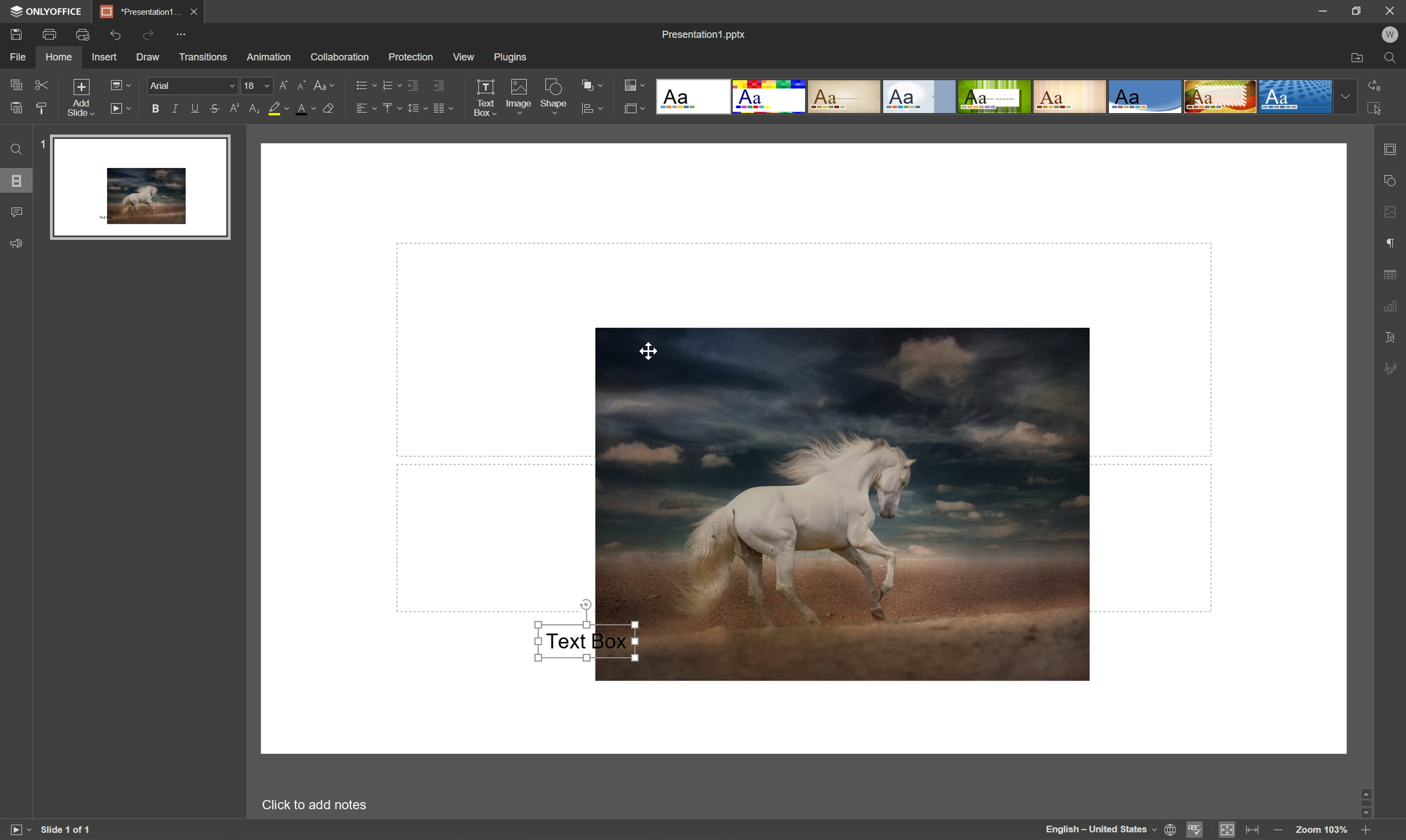 The height and width of the screenshot is (840, 1406). I want to click on Plugins, so click(514, 58).